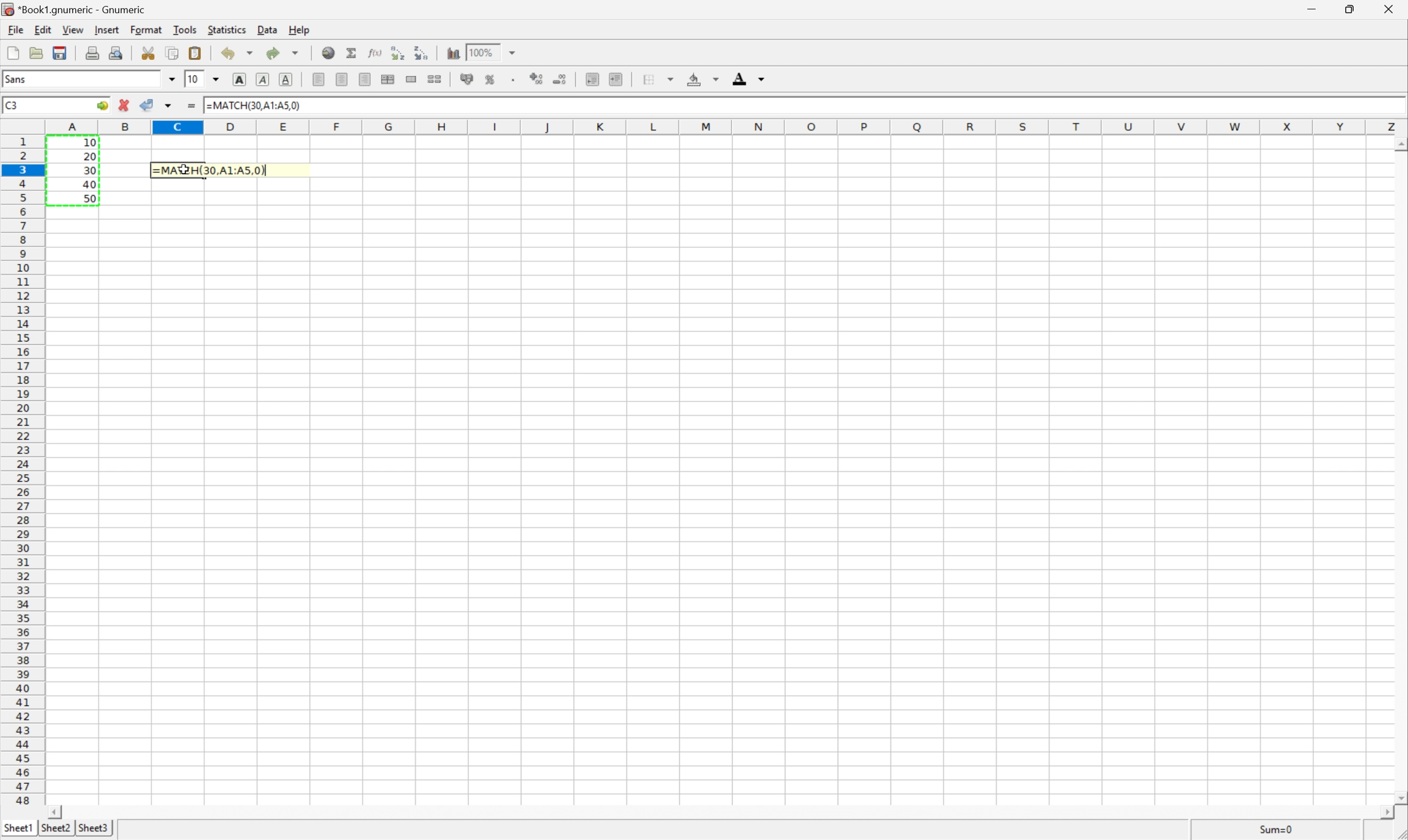 The image size is (1408, 840). Describe the element at coordinates (423, 53) in the screenshot. I see `Sort the selected region in descending order based on the first column selected` at that location.